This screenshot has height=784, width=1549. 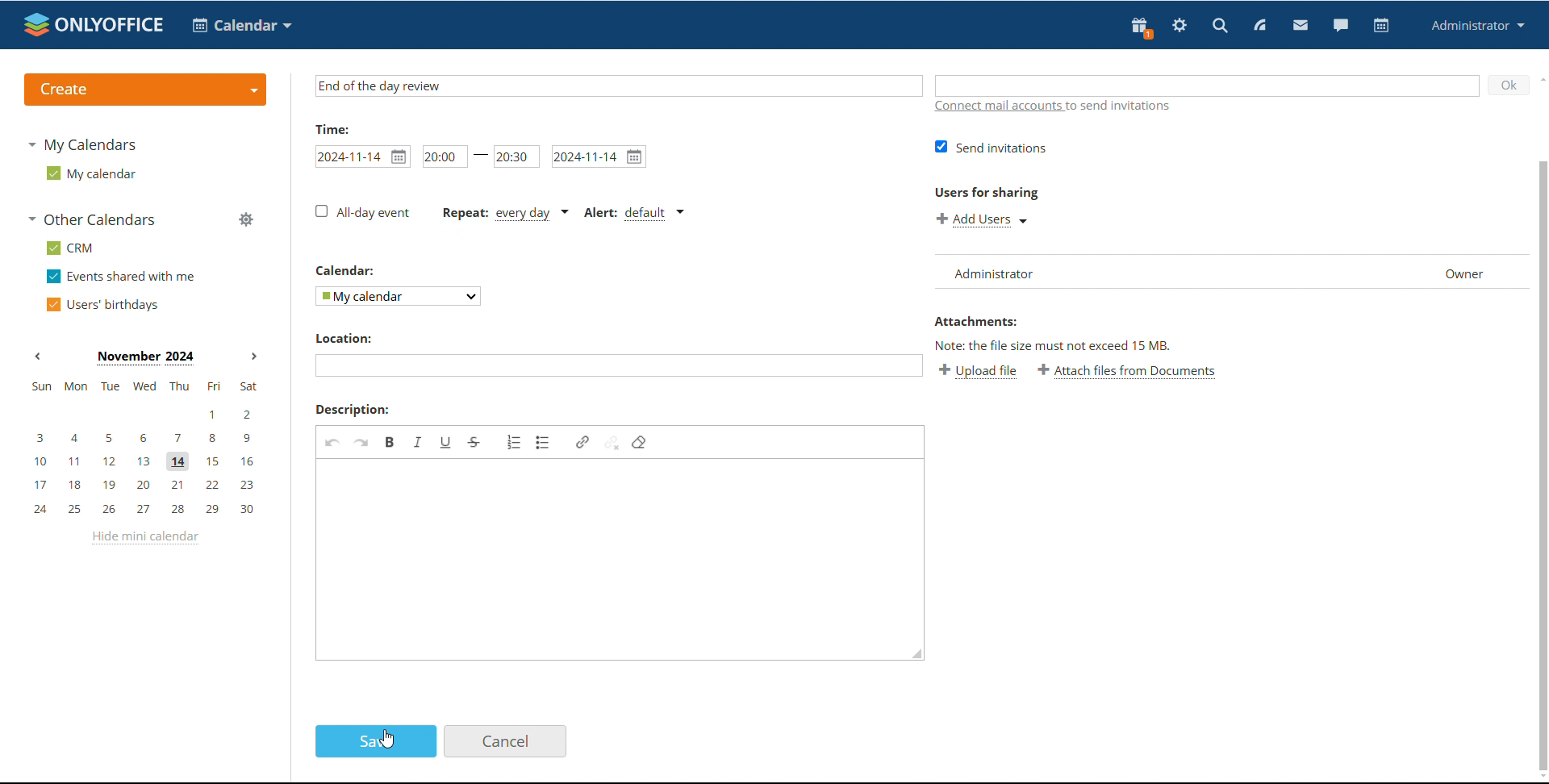 I want to click on crm, so click(x=71, y=248).